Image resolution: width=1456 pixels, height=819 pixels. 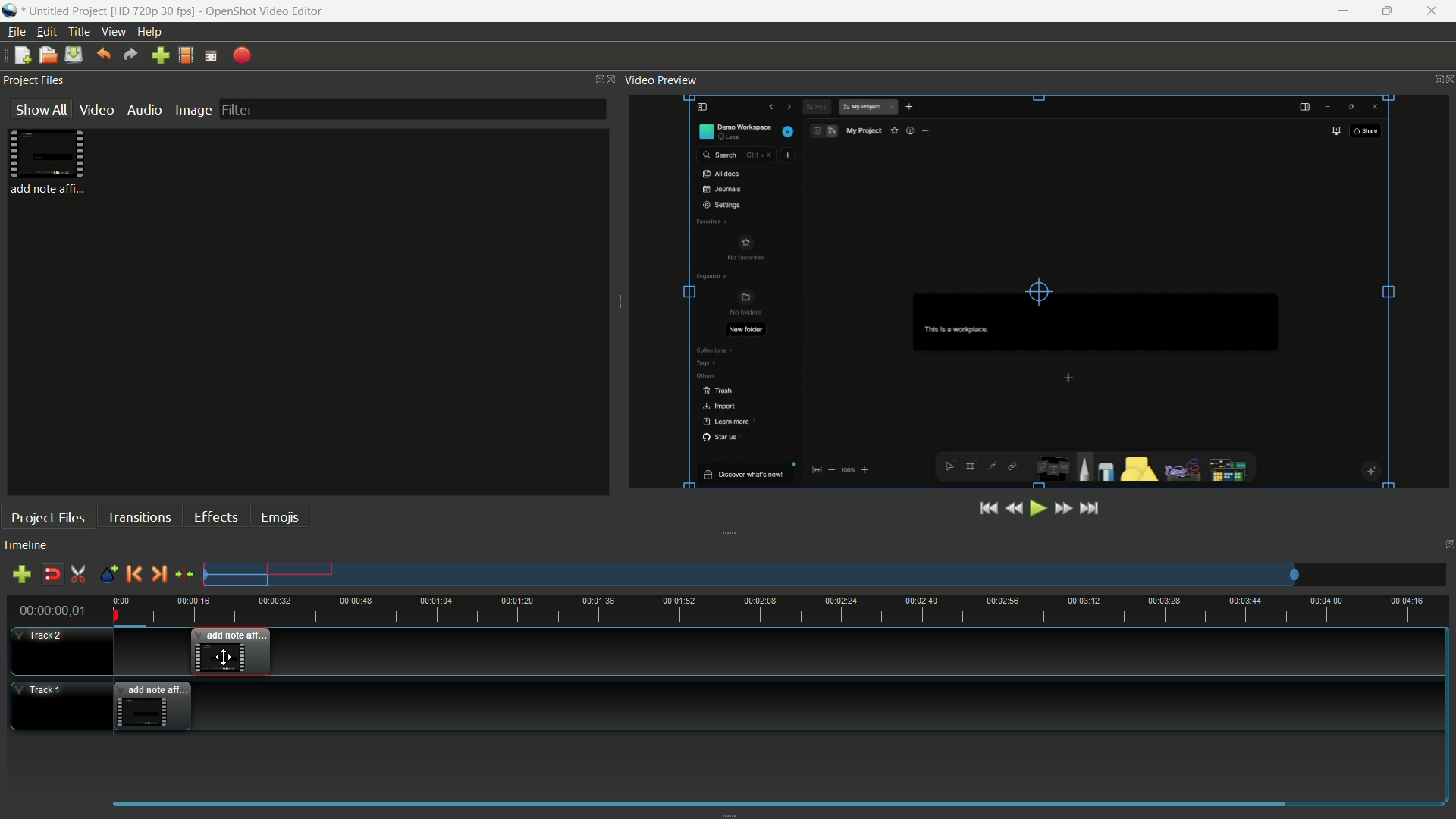 I want to click on time, so click(x=785, y=610).